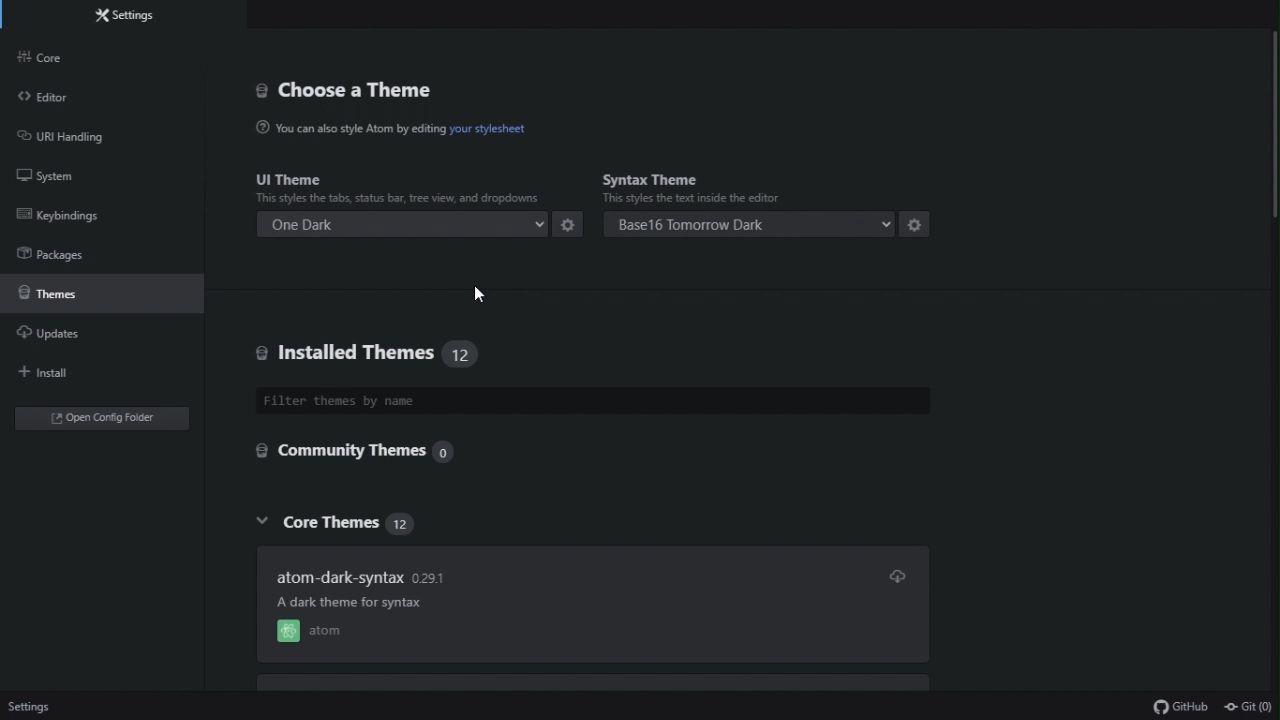 The width and height of the screenshot is (1280, 720). I want to click on Install, so click(70, 371).